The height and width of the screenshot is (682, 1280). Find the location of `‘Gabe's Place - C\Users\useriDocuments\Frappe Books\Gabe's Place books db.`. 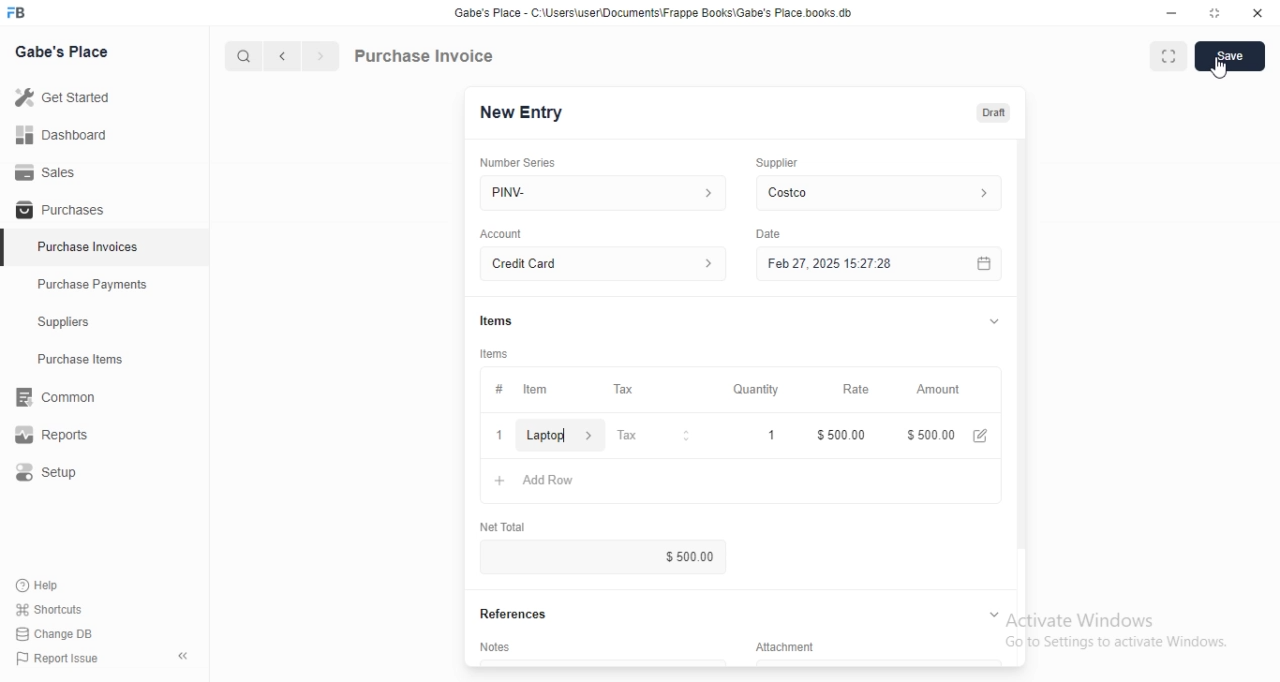

‘Gabe's Place - C\Users\useriDocuments\Frappe Books\Gabe's Place books db. is located at coordinates (653, 12).